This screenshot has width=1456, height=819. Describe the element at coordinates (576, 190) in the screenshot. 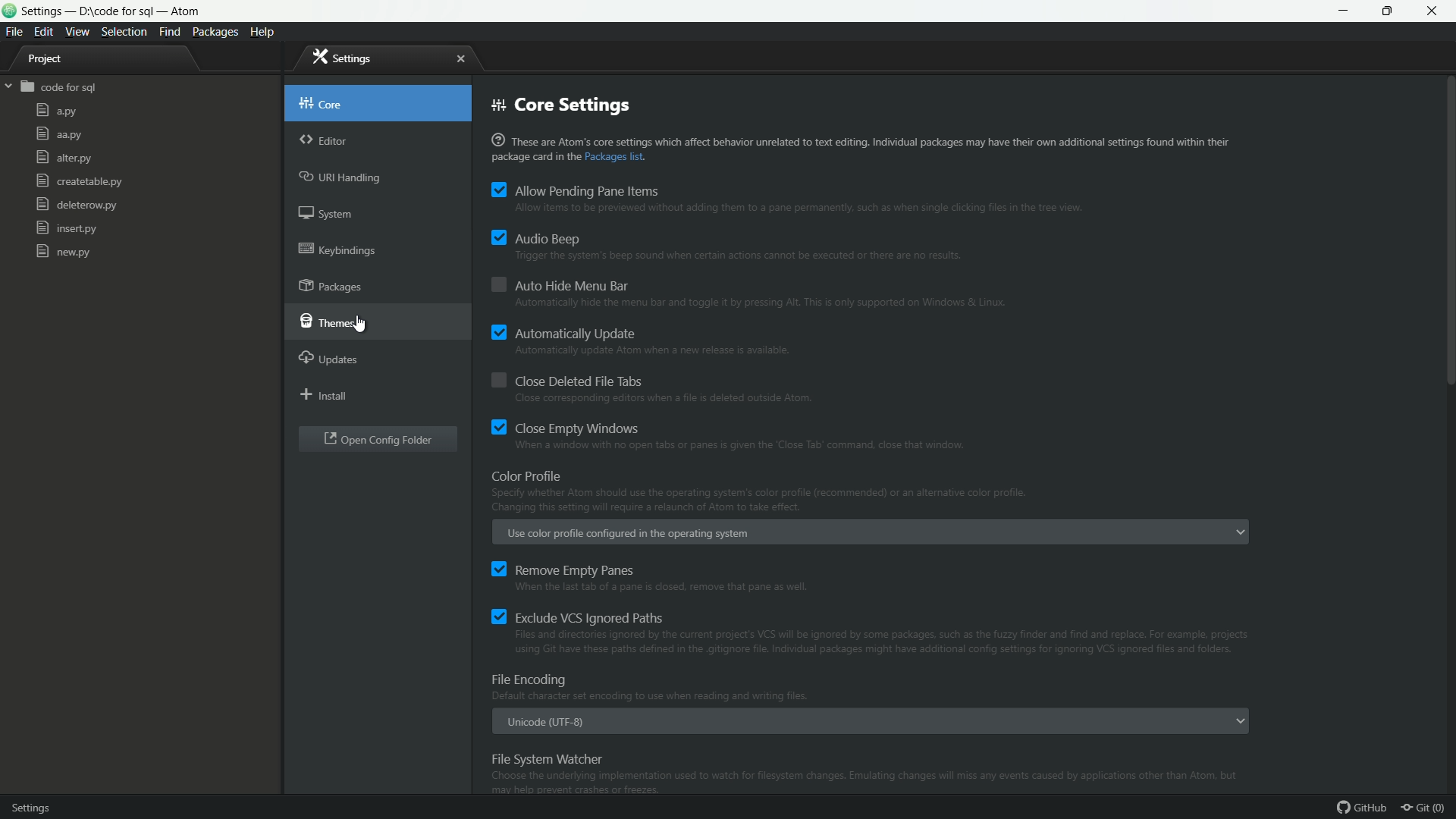

I see `allow pending pane items` at that location.